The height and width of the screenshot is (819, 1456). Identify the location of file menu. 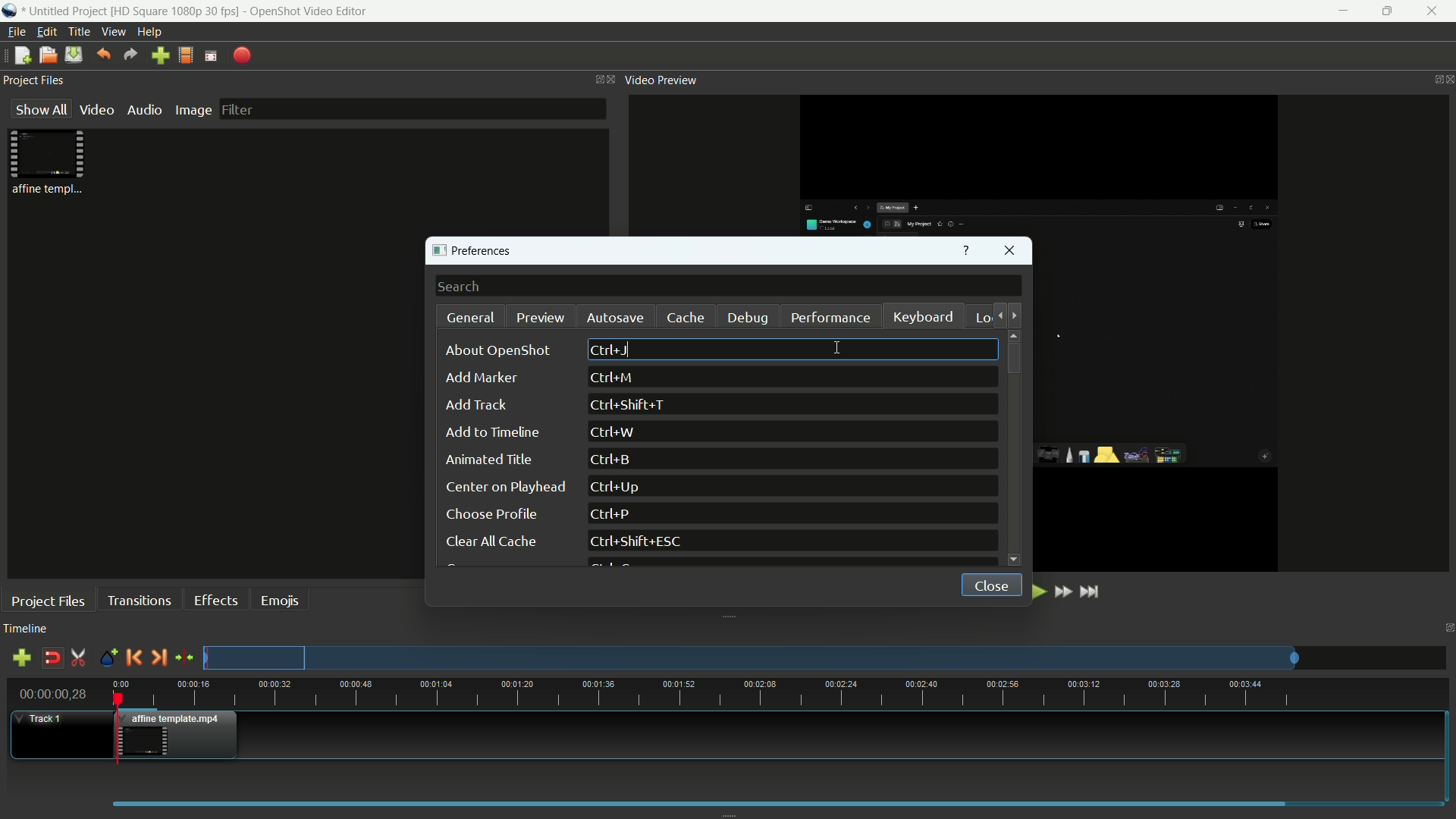
(15, 32).